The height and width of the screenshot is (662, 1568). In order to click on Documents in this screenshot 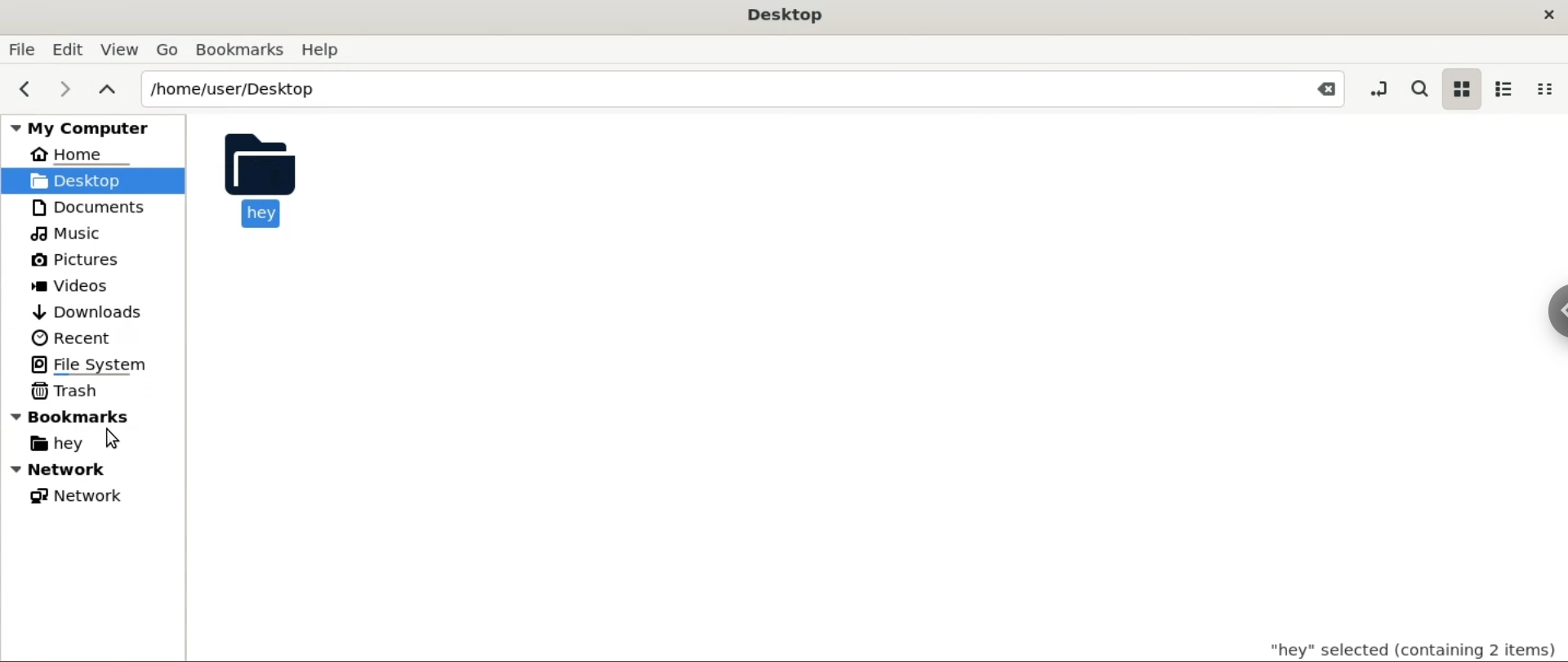, I will do `click(87, 207)`.